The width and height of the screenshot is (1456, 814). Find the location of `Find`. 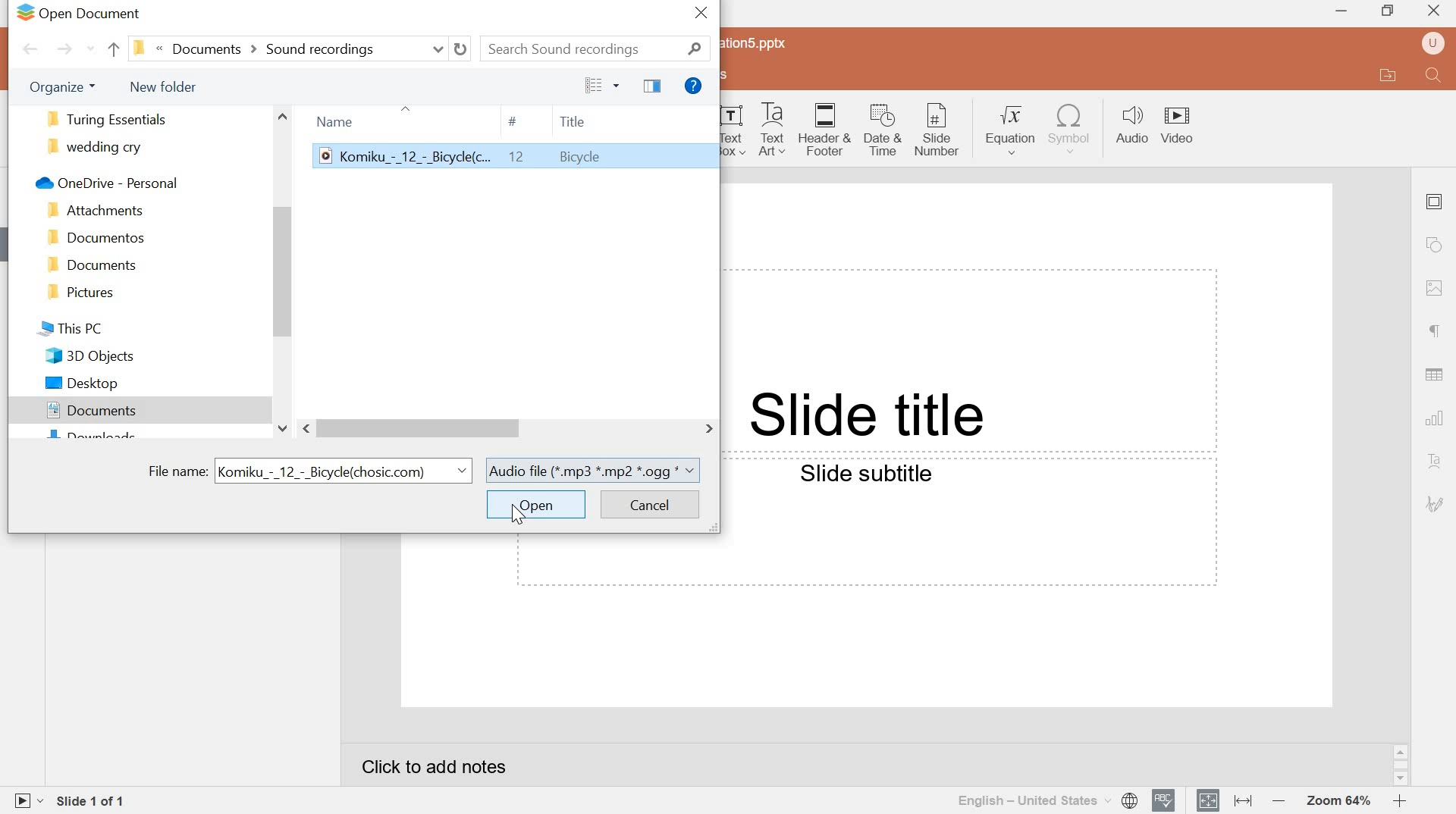

Find is located at coordinates (1435, 76).